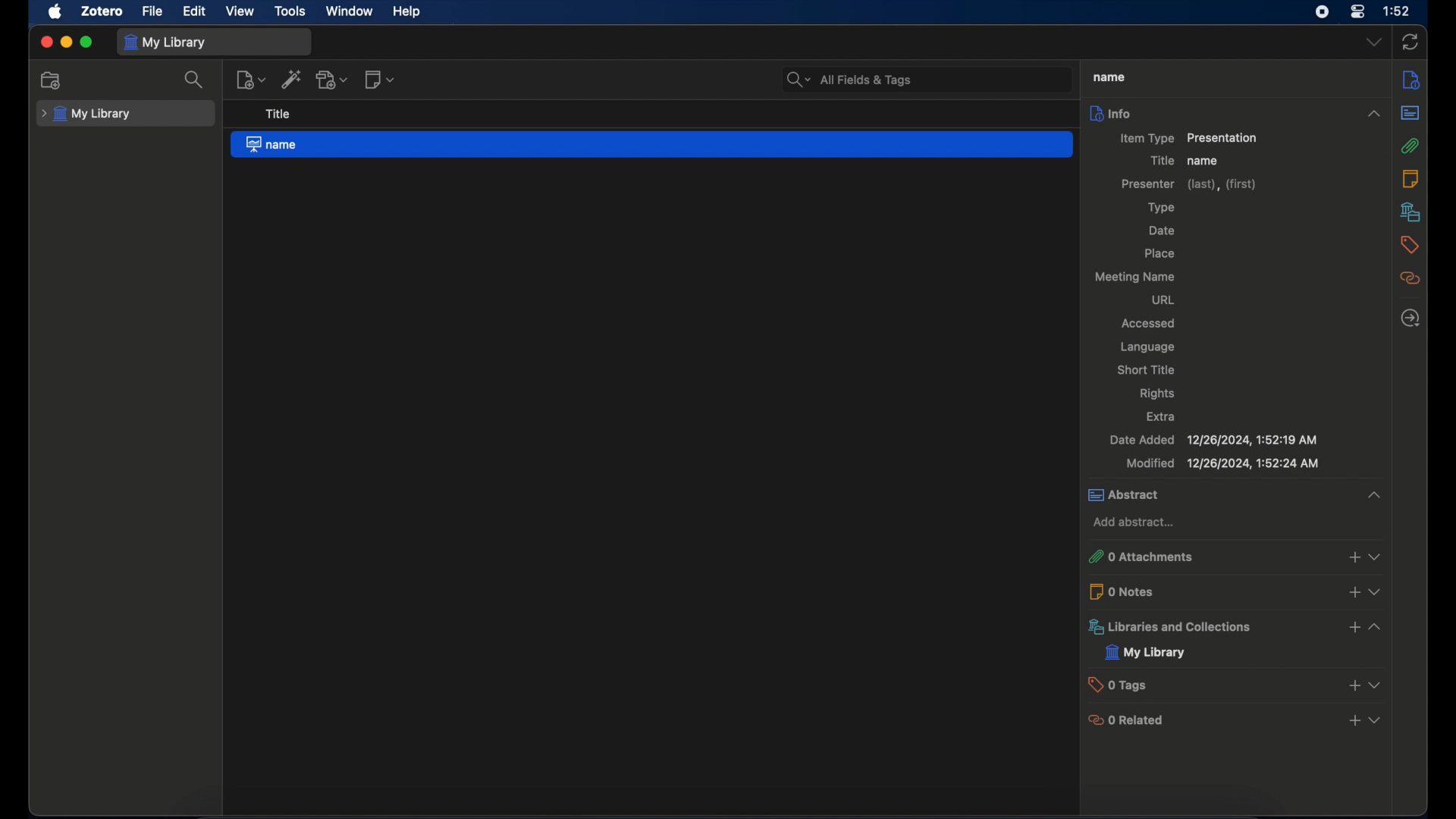  What do you see at coordinates (381, 80) in the screenshot?
I see `new note` at bounding box center [381, 80].